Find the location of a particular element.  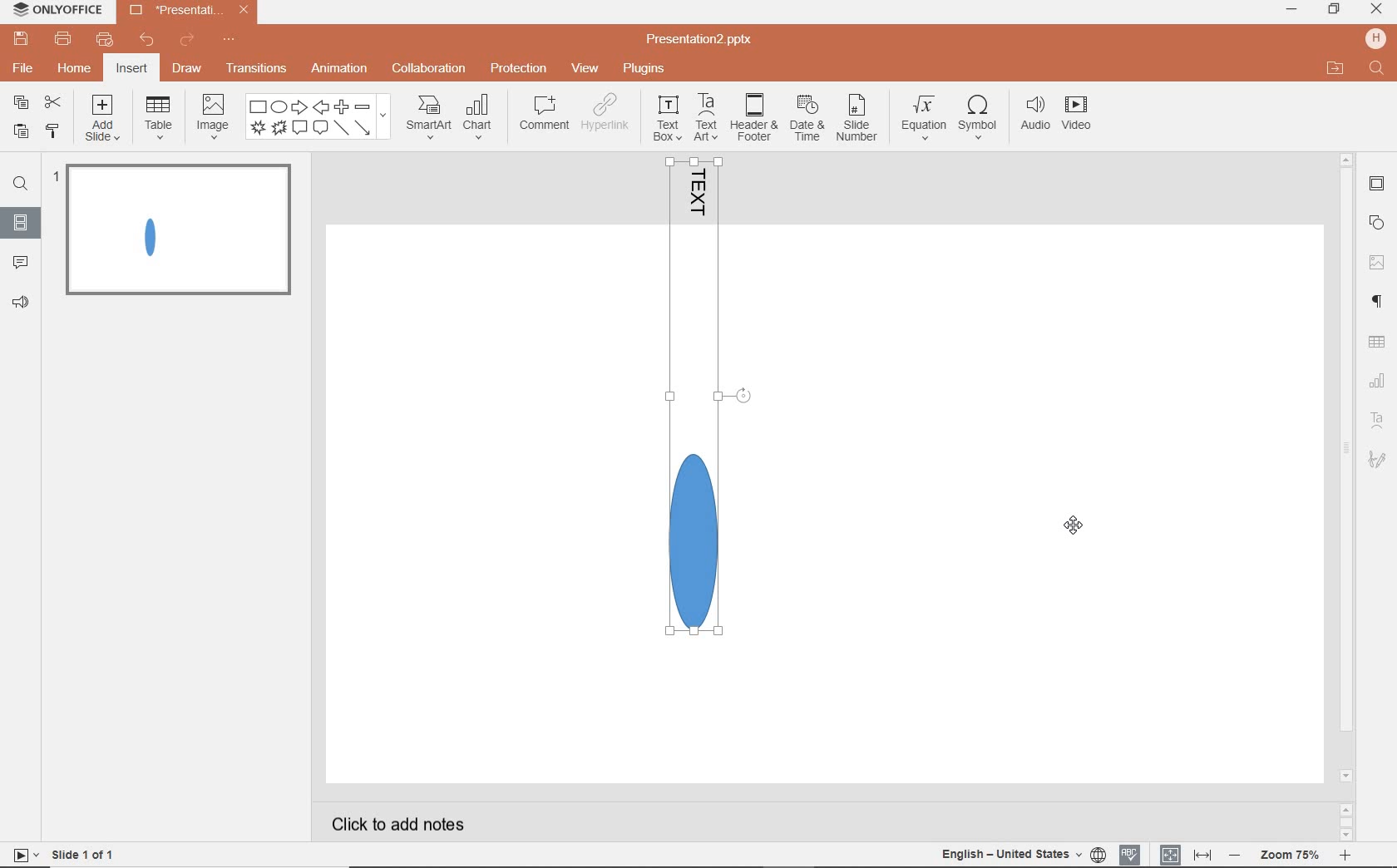

Signature is located at coordinates (1376, 460).